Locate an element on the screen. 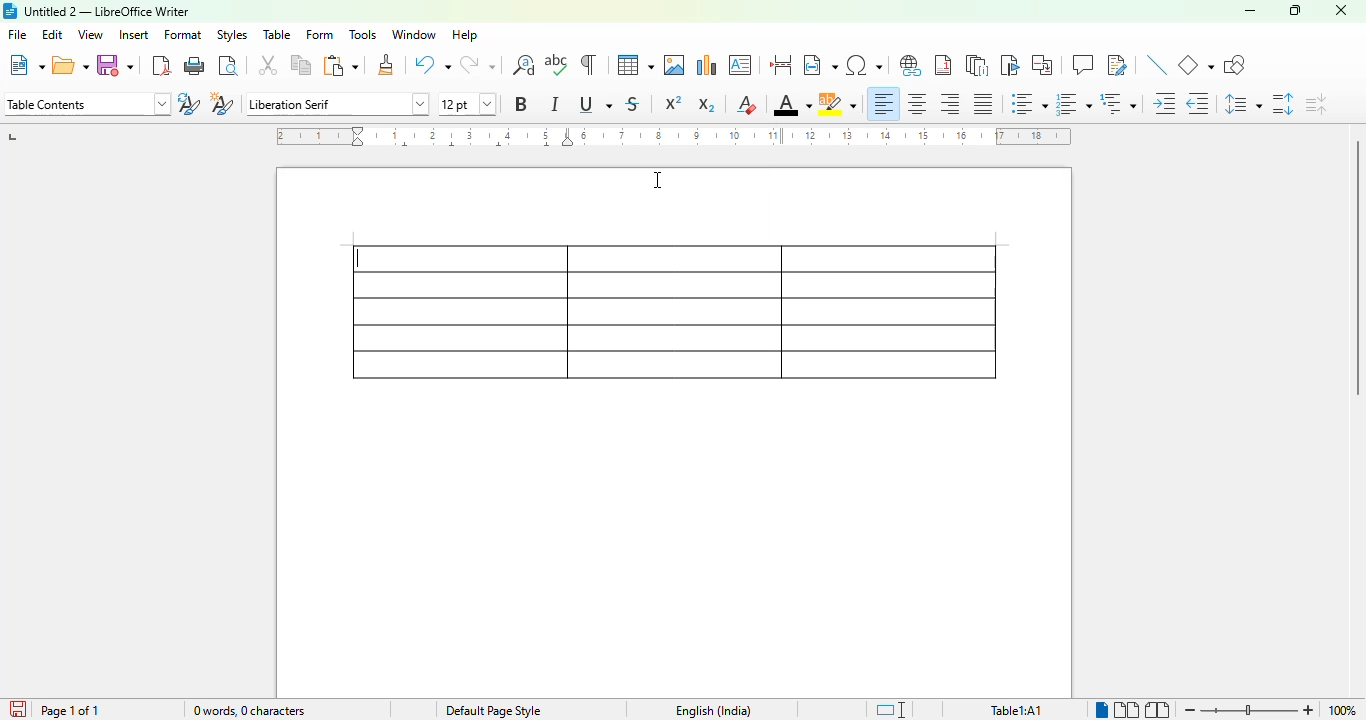  format is located at coordinates (183, 35).